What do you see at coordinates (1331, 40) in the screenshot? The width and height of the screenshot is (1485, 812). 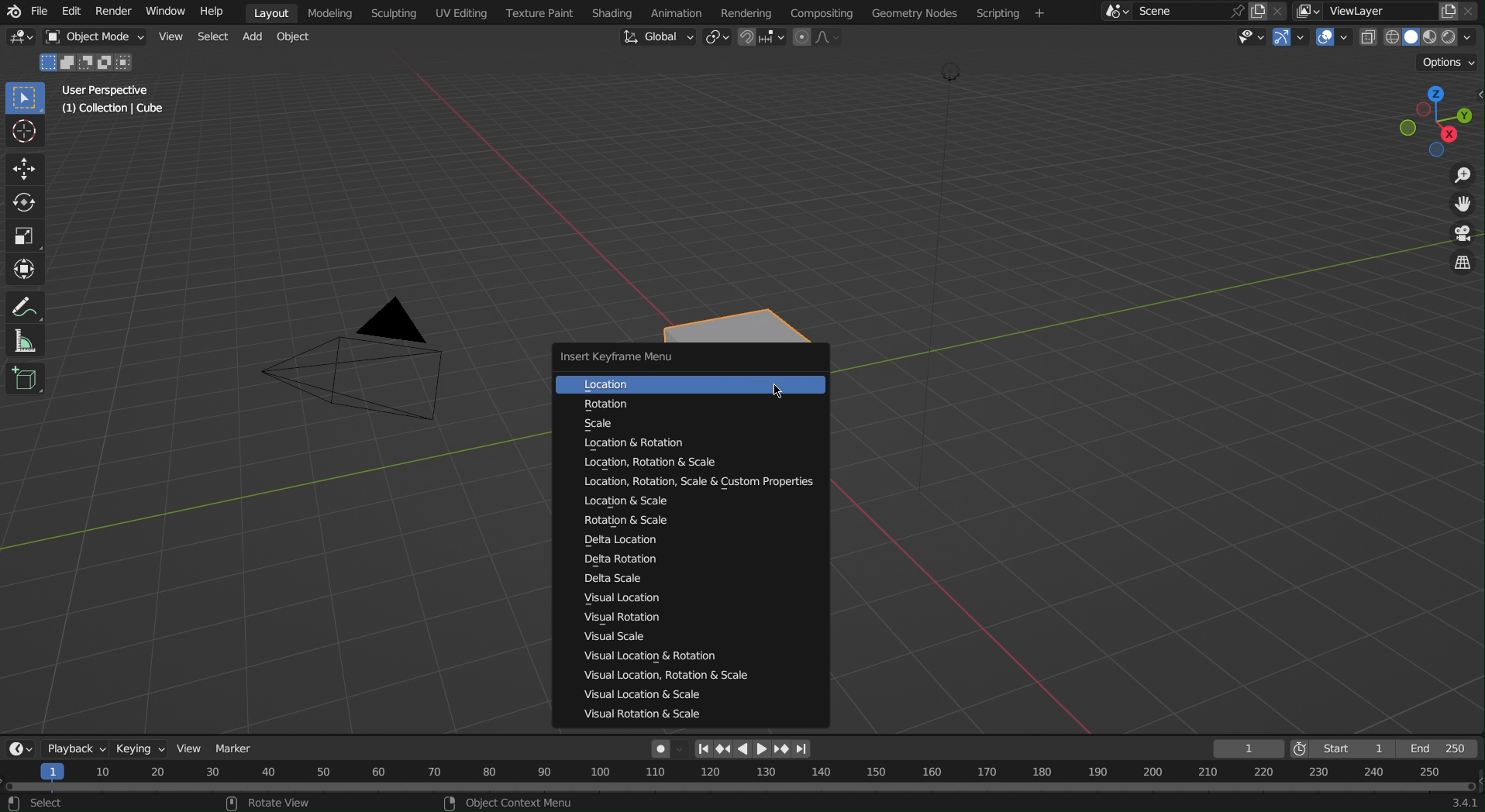 I see `Show Overlays` at bounding box center [1331, 40].